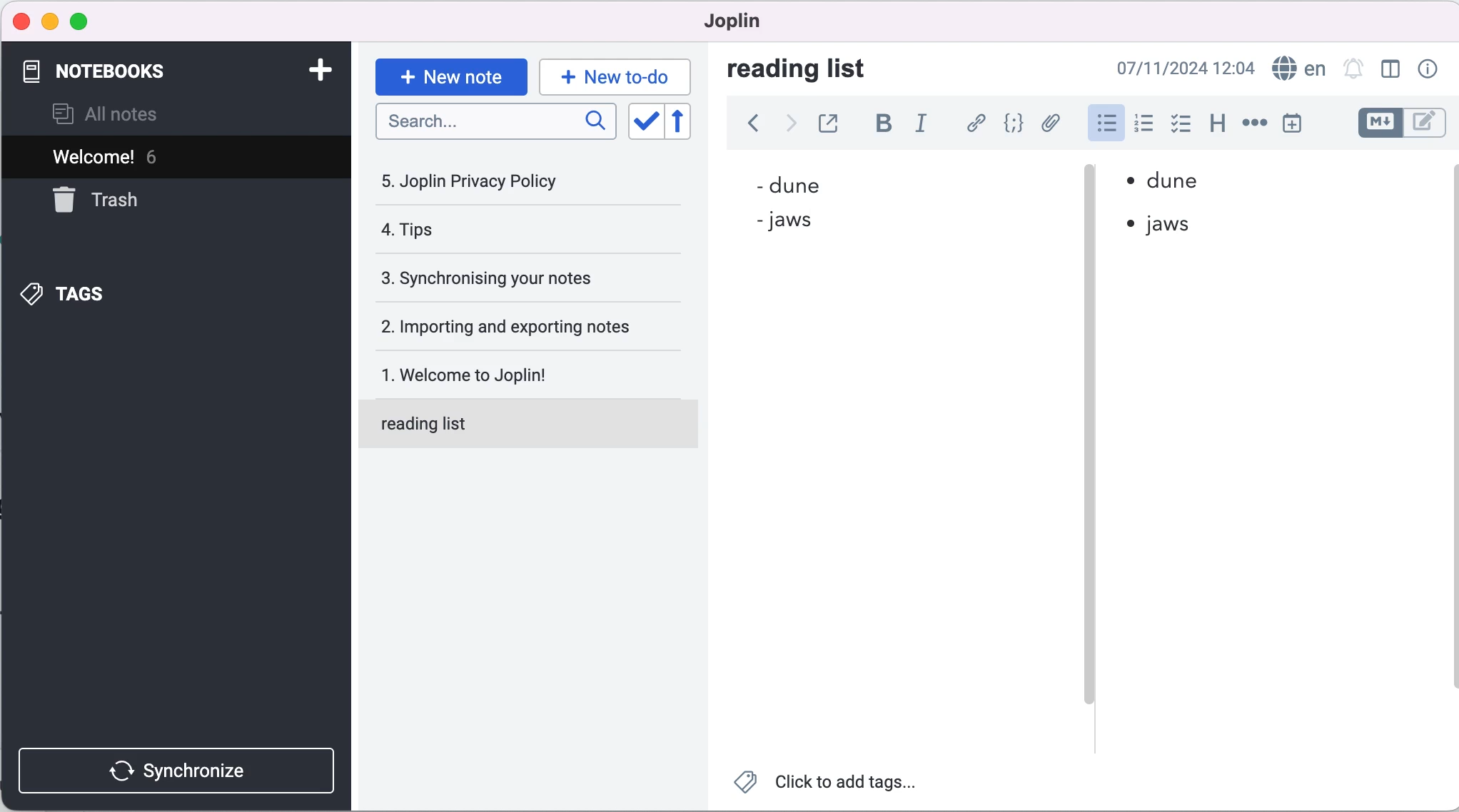 The width and height of the screenshot is (1459, 812). What do you see at coordinates (529, 327) in the screenshot?
I see `importing and exporting notes` at bounding box center [529, 327].